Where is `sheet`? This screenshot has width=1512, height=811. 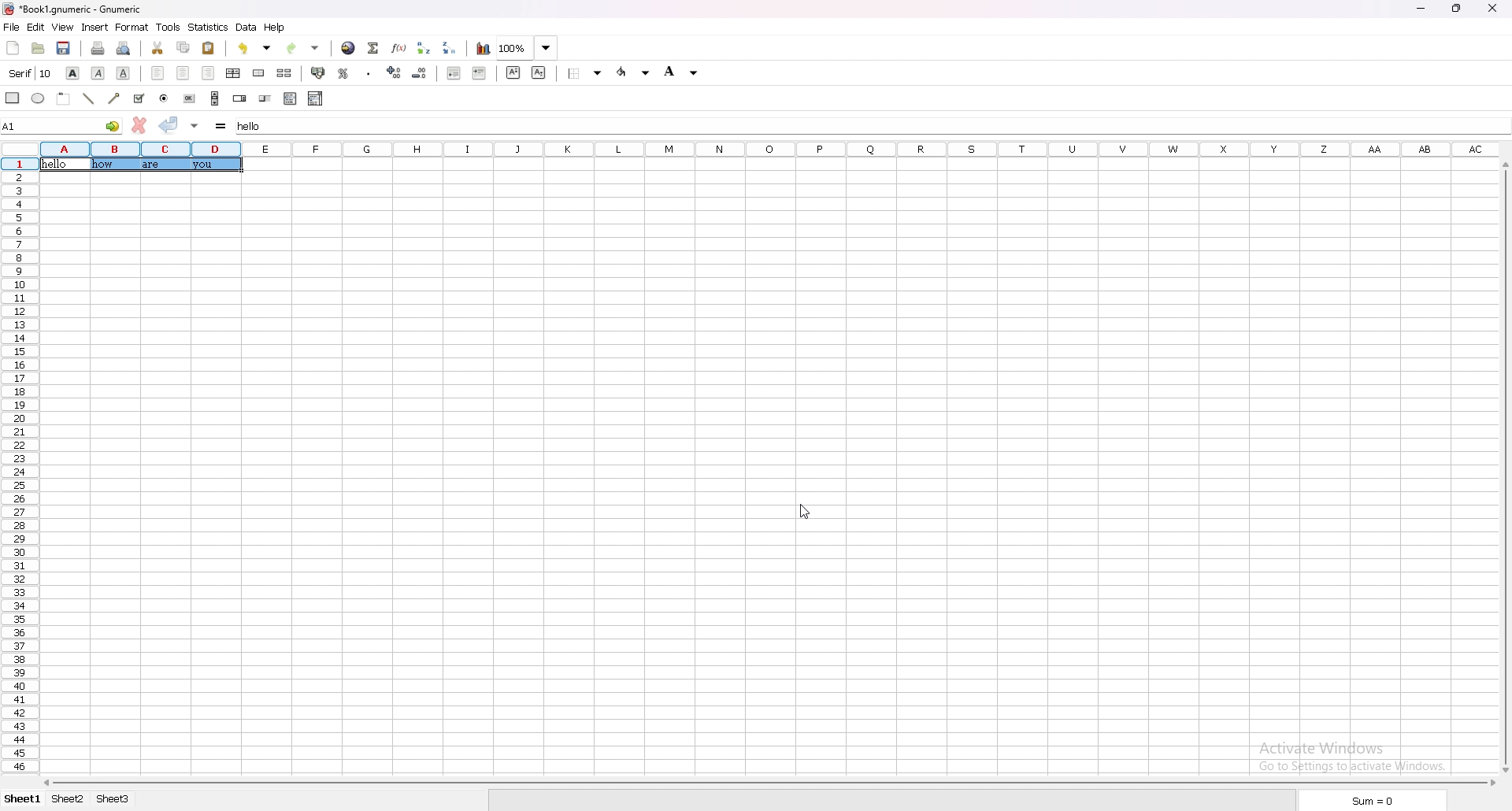
sheet is located at coordinates (115, 798).